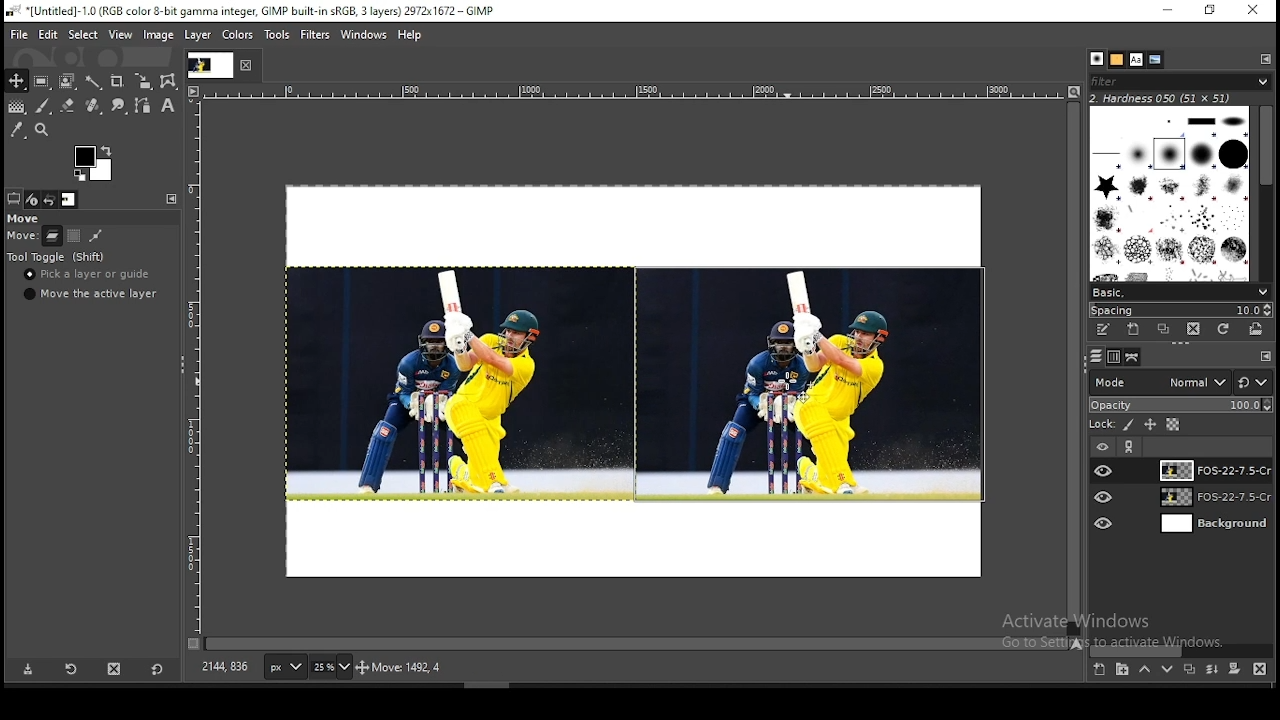  What do you see at coordinates (169, 198) in the screenshot?
I see `tool` at bounding box center [169, 198].